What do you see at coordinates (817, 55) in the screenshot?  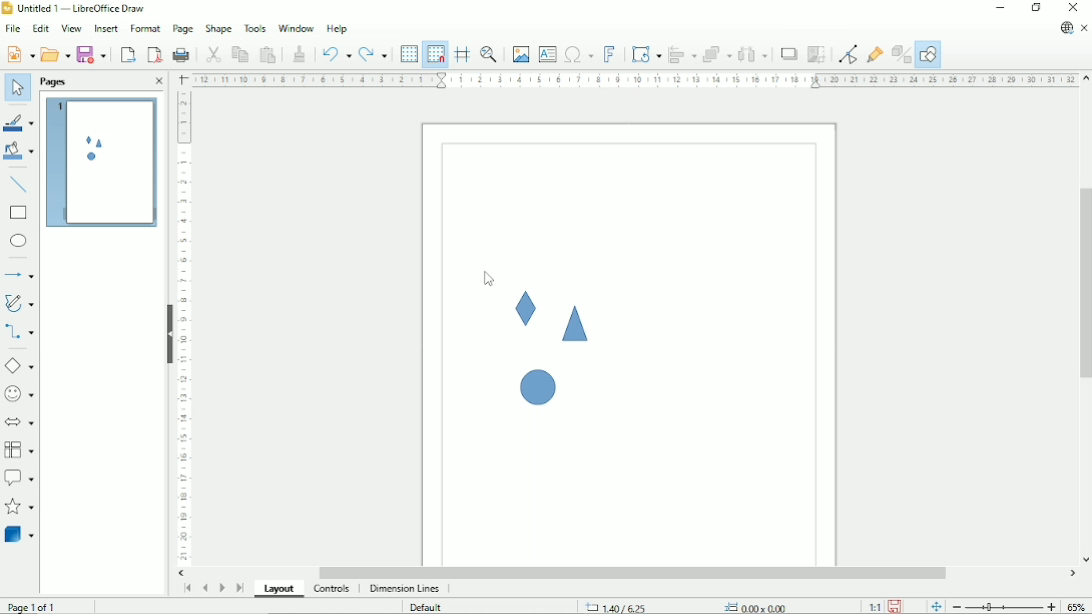 I see `Crop image` at bounding box center [817, 55].